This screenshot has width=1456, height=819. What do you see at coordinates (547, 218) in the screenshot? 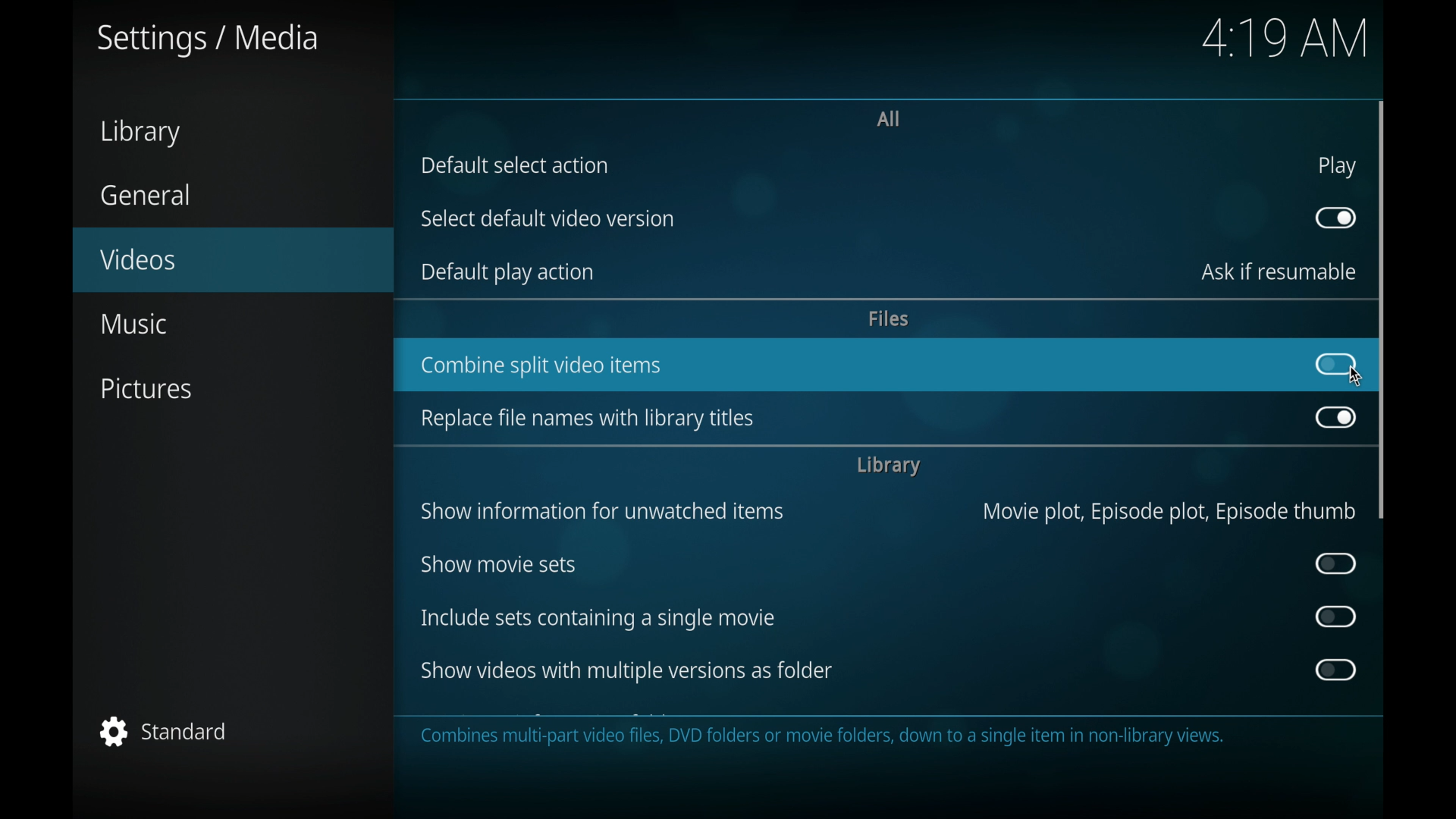
I see `select default video version` at bounding box center [547, 218].